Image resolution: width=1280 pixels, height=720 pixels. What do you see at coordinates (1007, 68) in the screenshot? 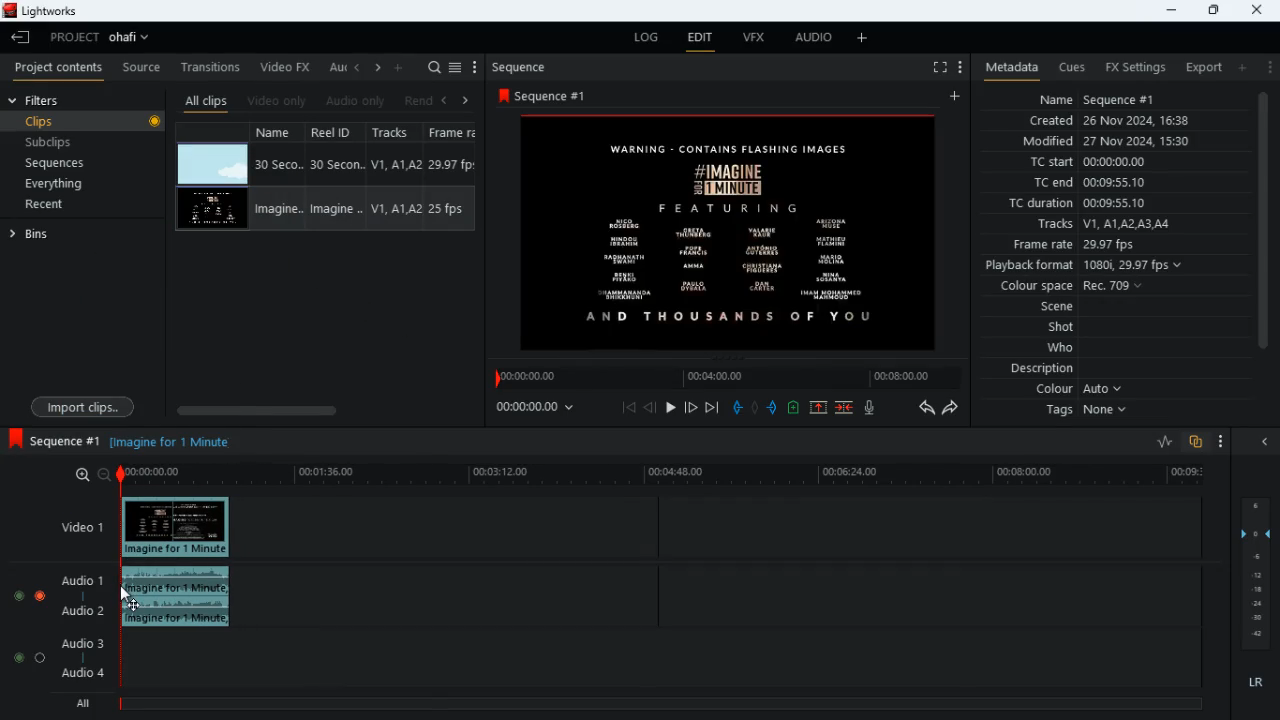
I see `metadata` at bounding box center [1007, 68].